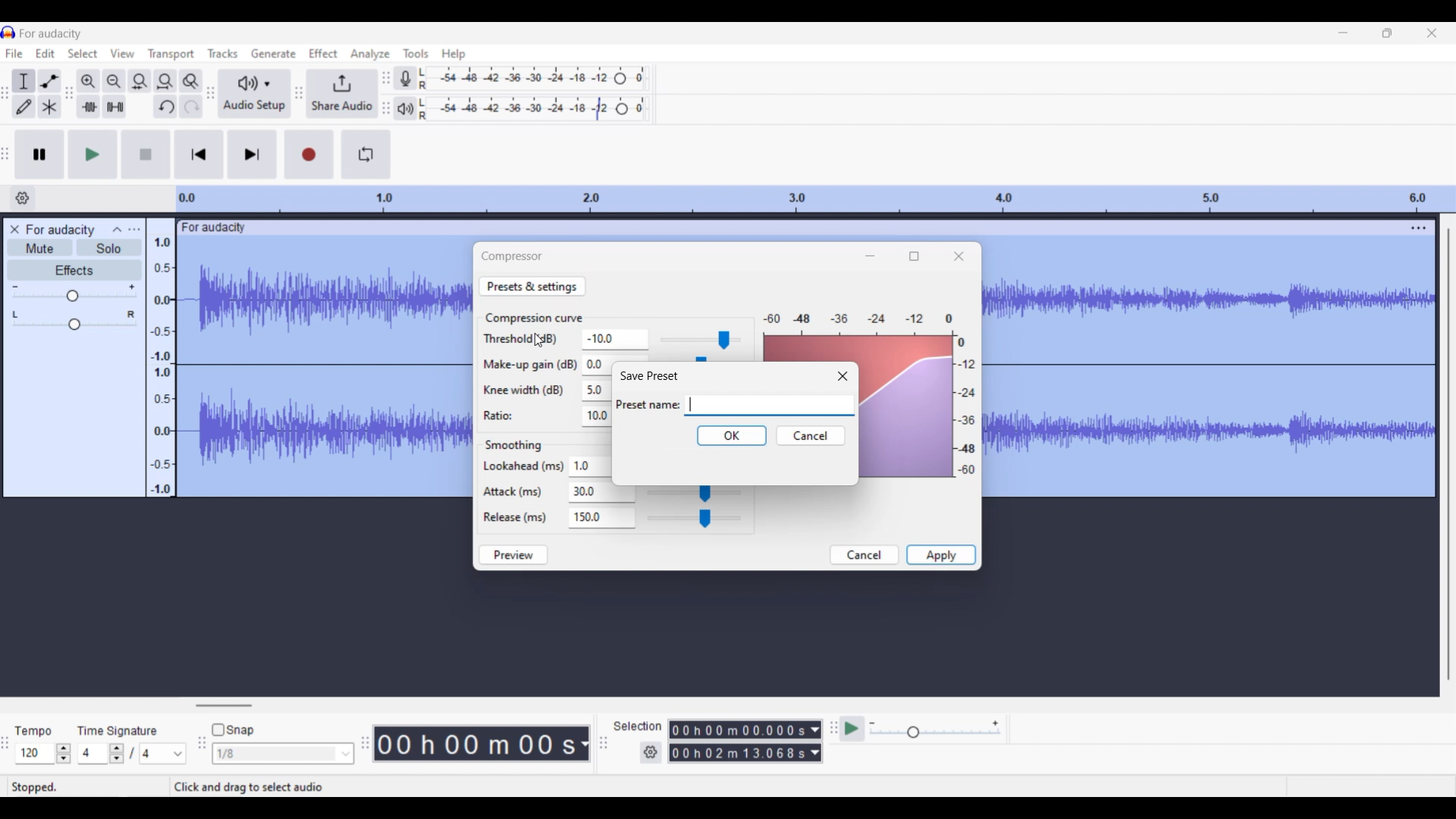 The width and height of the screenshot is (1456, 819). I want to click on Record/Record new track, so click(309, 155).